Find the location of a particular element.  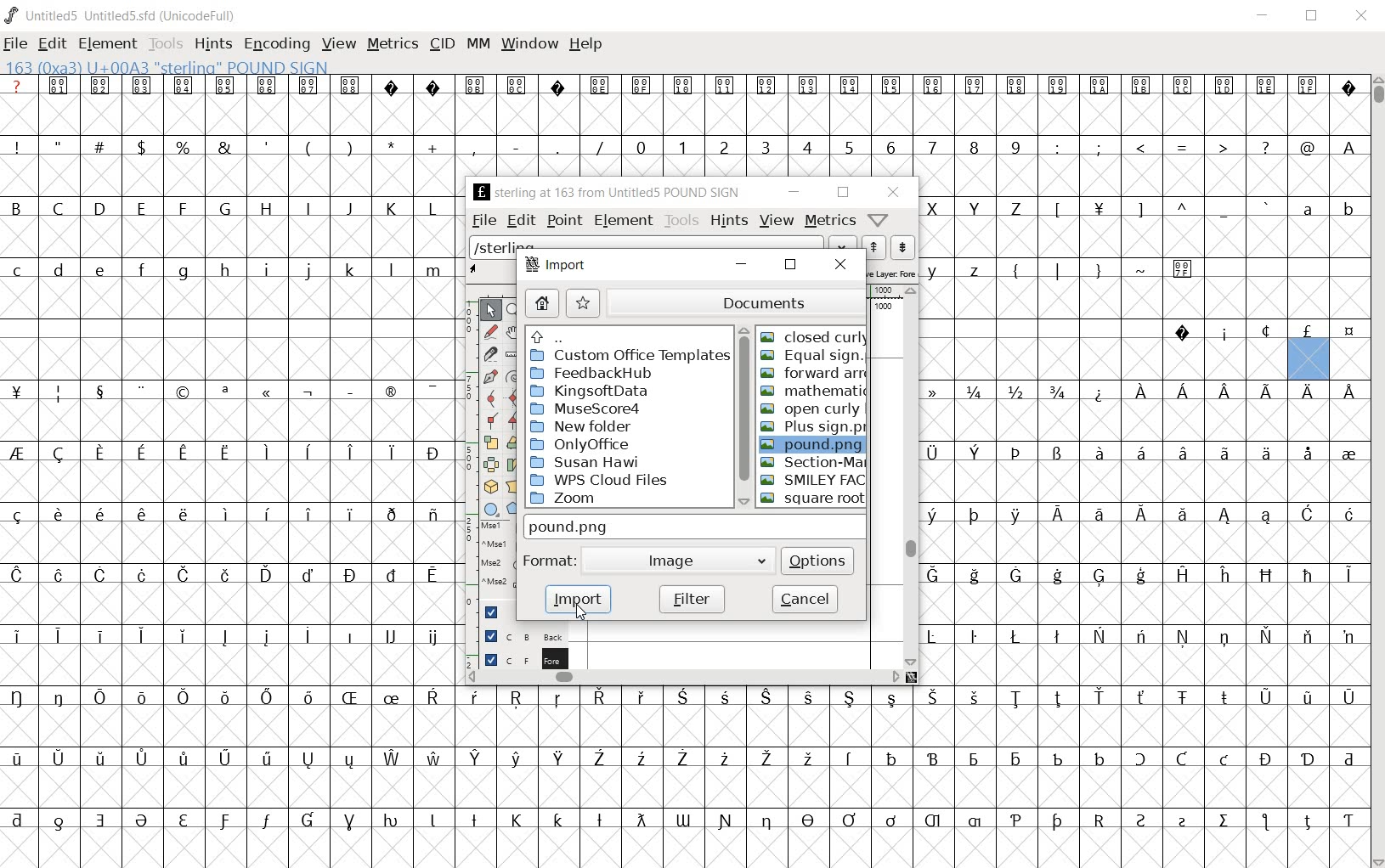

import is located at coordinates (562, 265).